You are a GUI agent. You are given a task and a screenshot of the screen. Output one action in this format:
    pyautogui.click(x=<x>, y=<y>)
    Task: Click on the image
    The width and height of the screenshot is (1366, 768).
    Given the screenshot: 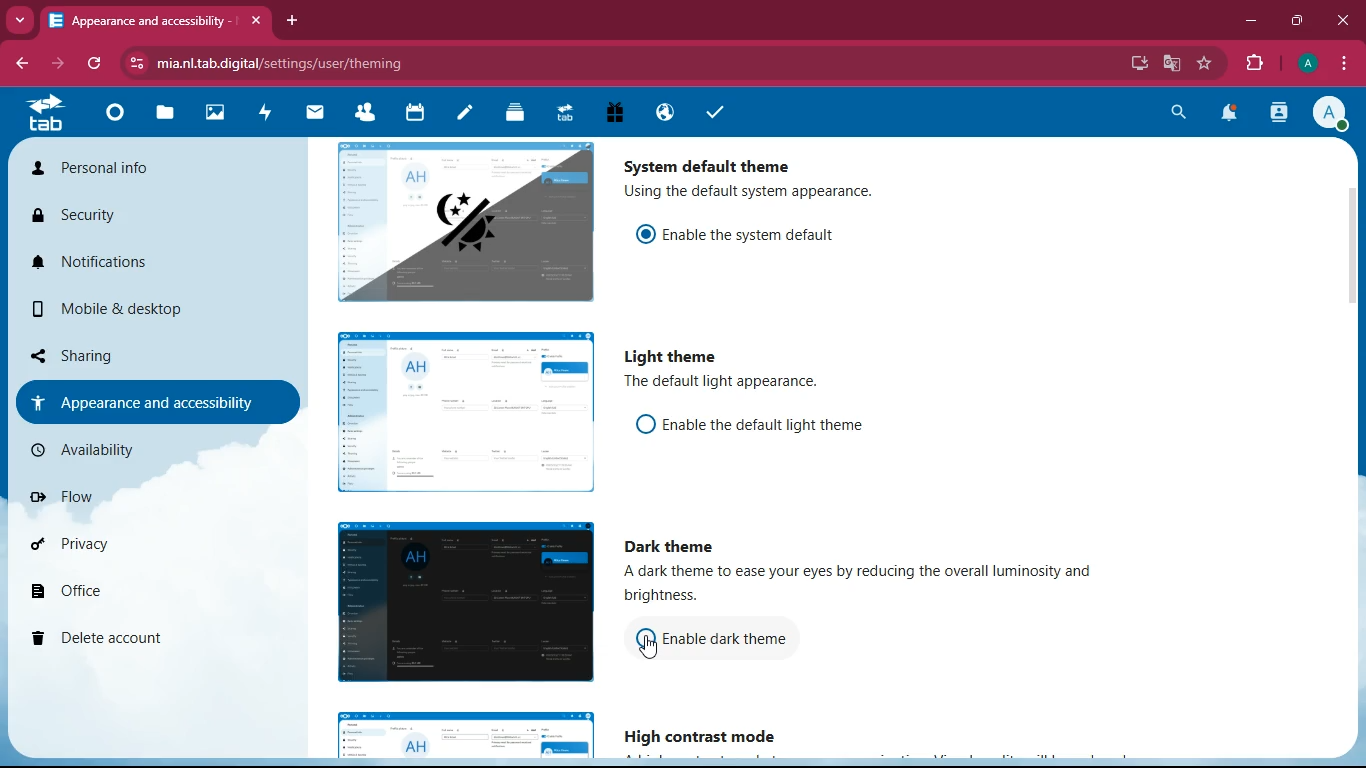 What is the action you would take?
    pyautogui.click(x=217, y=115)
    